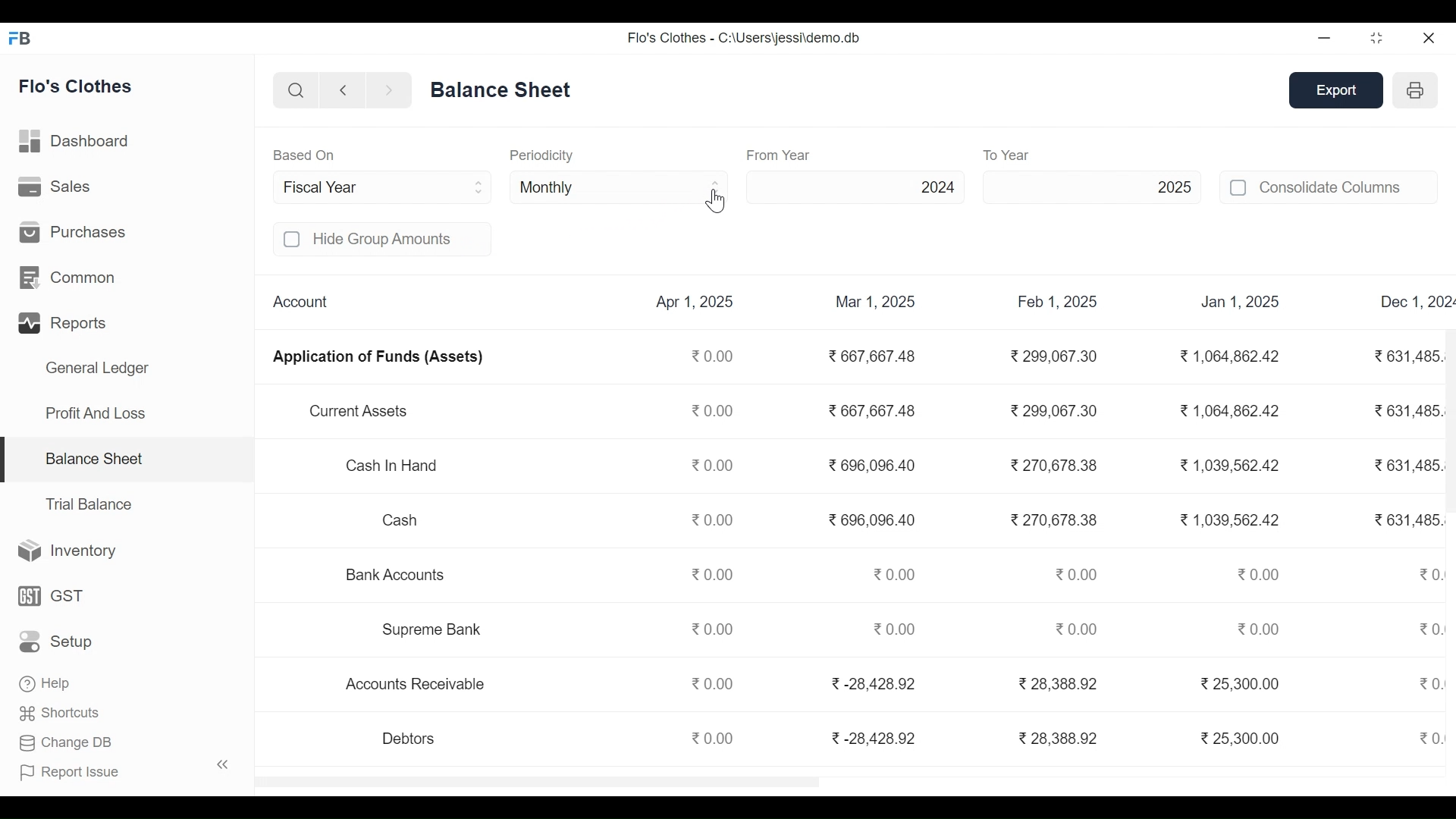  Describe the element at coordinates (1430, 37) in the screenshot. I see `close` at that location.